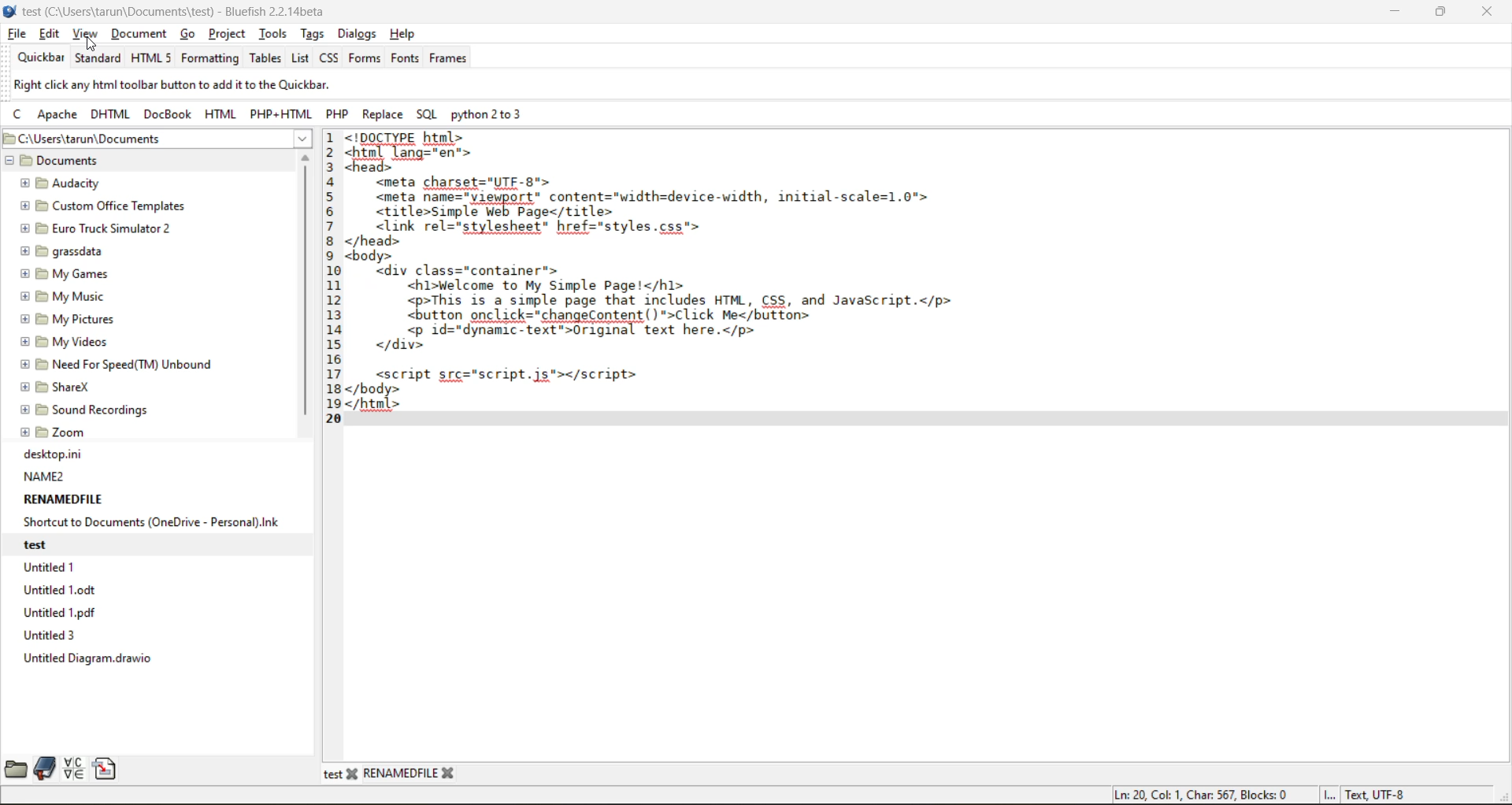 The width and height of the screenshot is (1512, 805). What do you see at coordinates (364, 60) in the screenshot?
I see `forms` at bounding box center [364, 60].